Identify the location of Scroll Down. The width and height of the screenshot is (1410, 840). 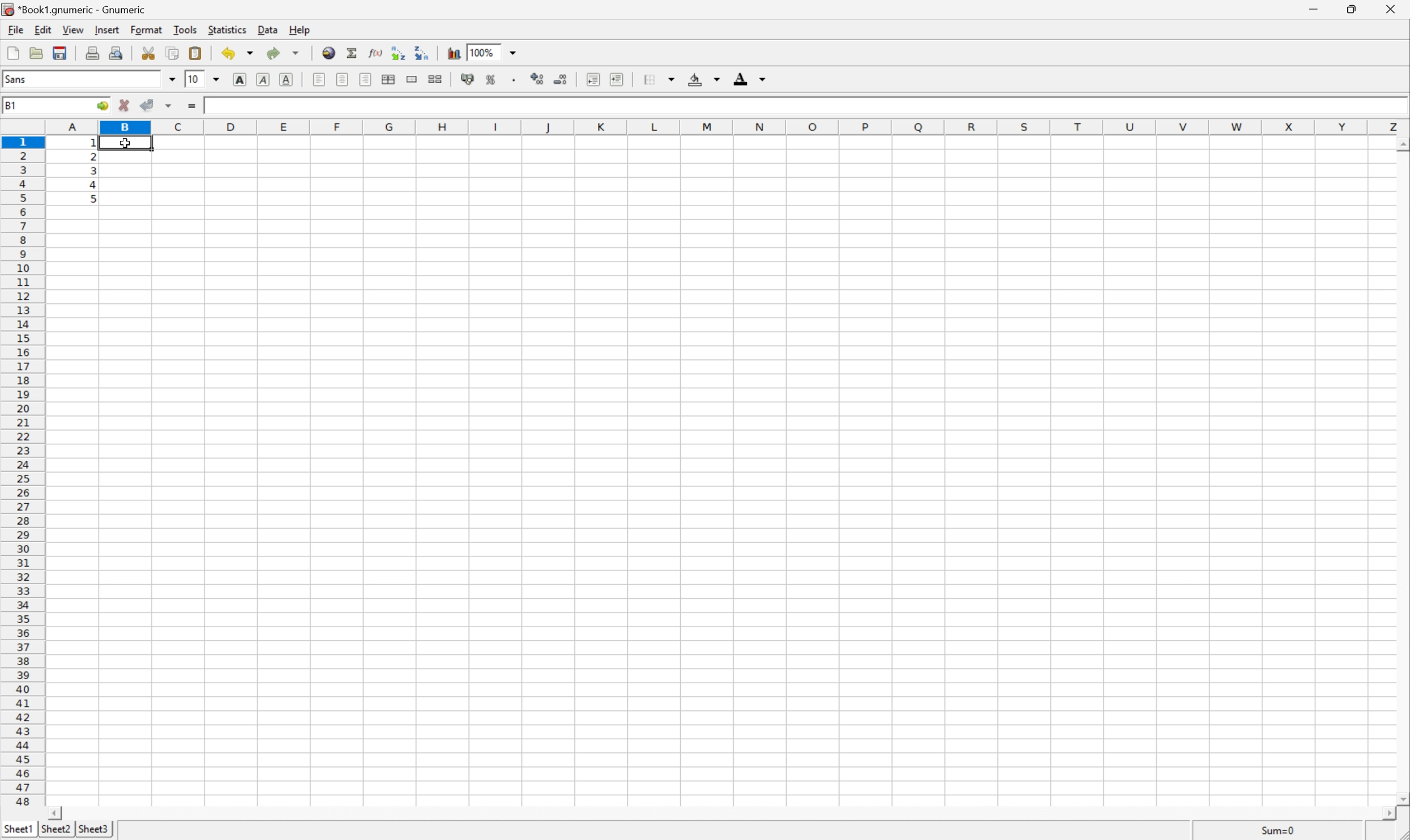
(1400, 796).